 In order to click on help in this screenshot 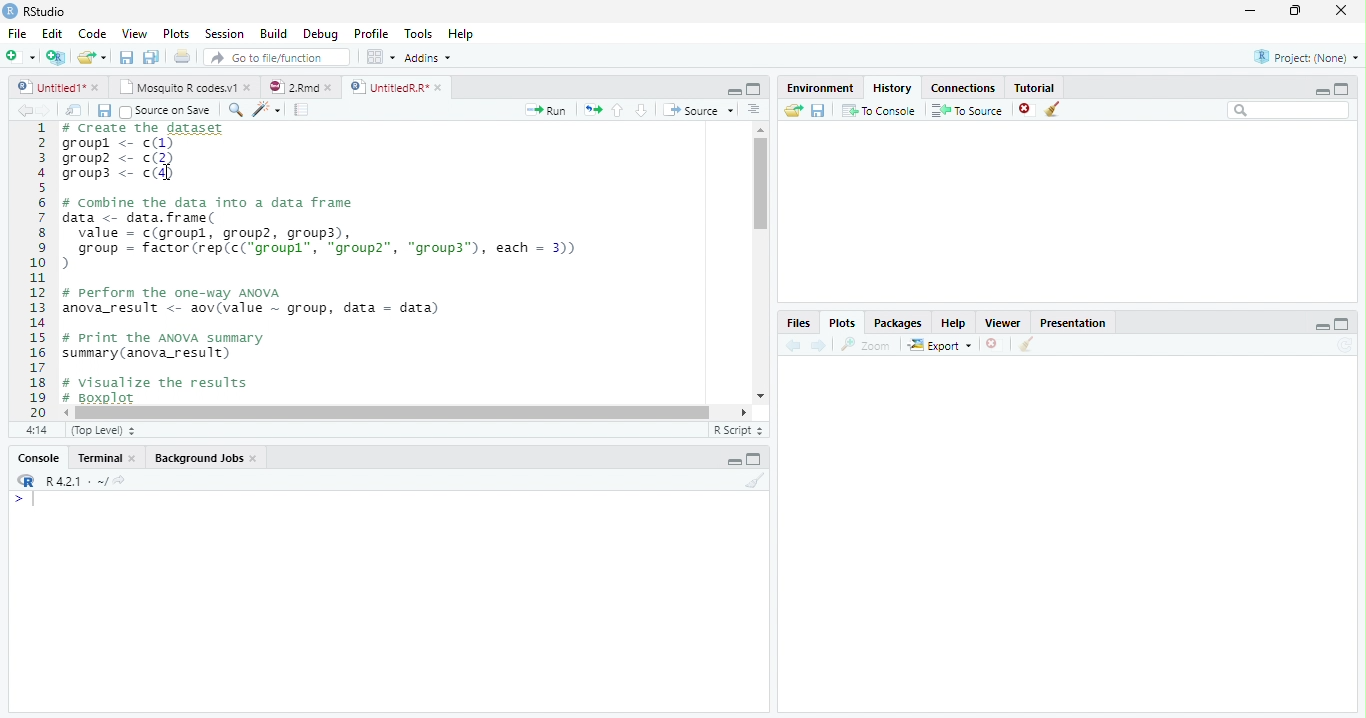, I will do `click(954, 323)`.